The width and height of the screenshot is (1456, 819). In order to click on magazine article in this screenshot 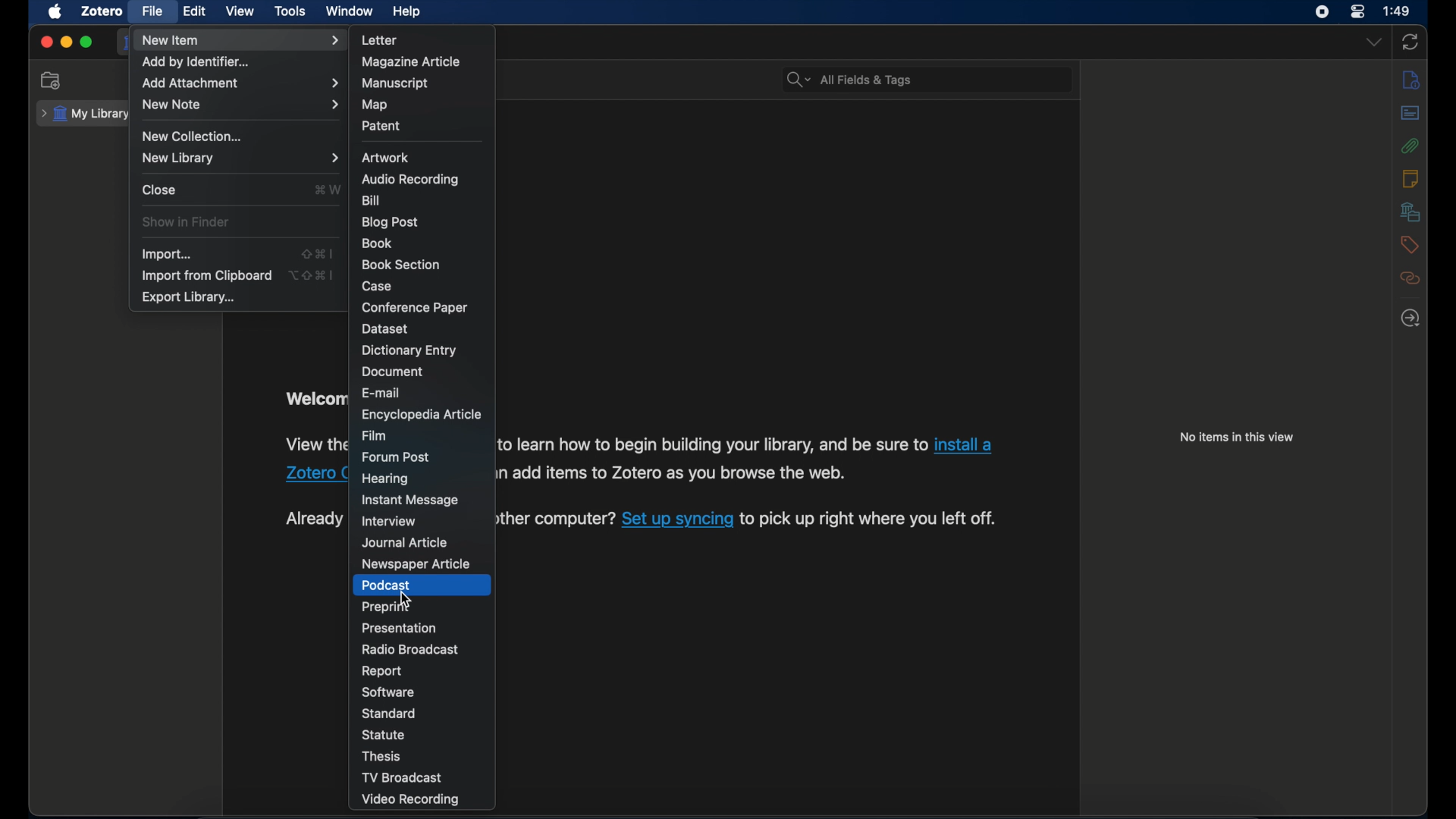, I will do `click(411, 61)`.